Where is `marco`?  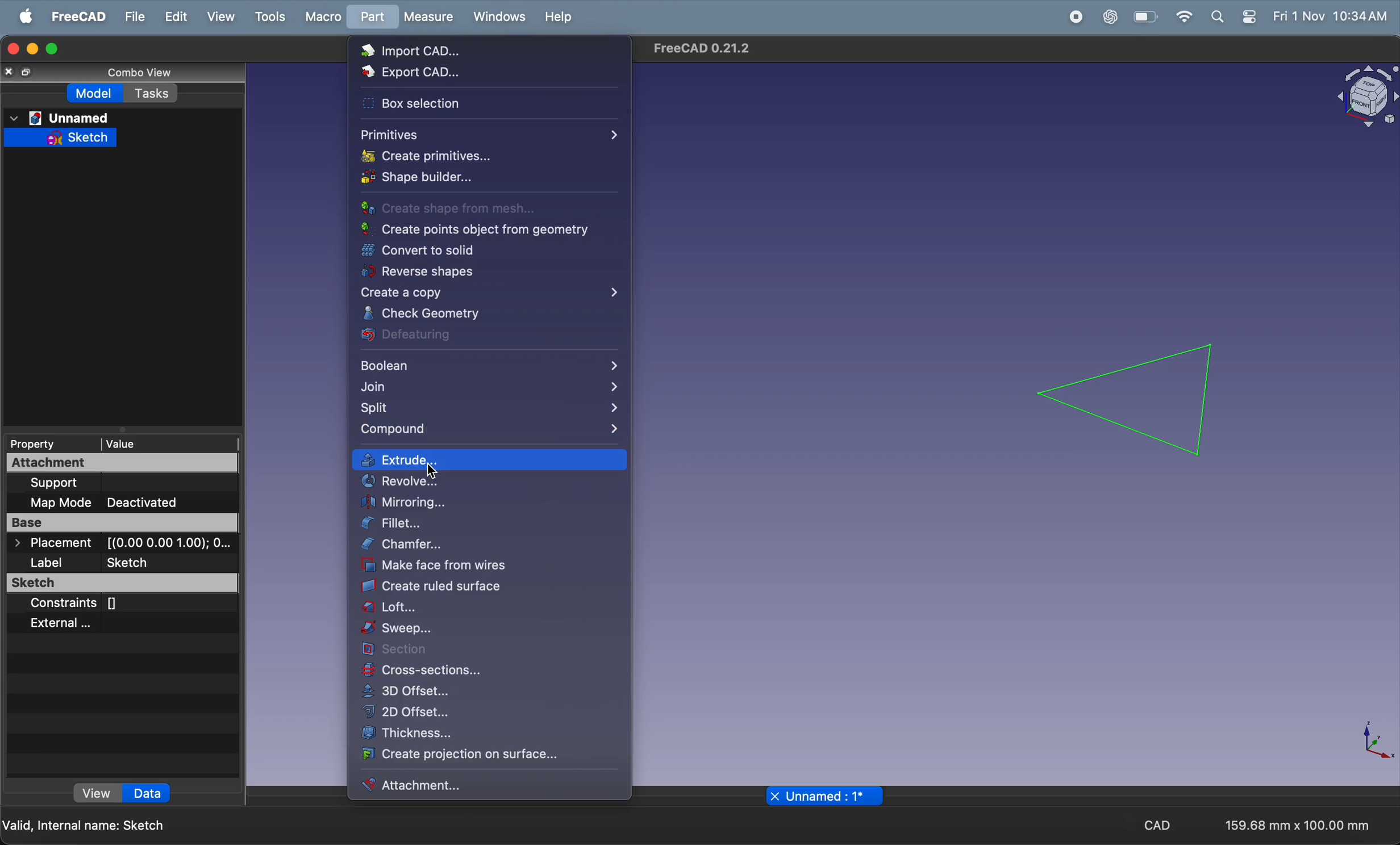 marco is located at coordinates (326, 18).